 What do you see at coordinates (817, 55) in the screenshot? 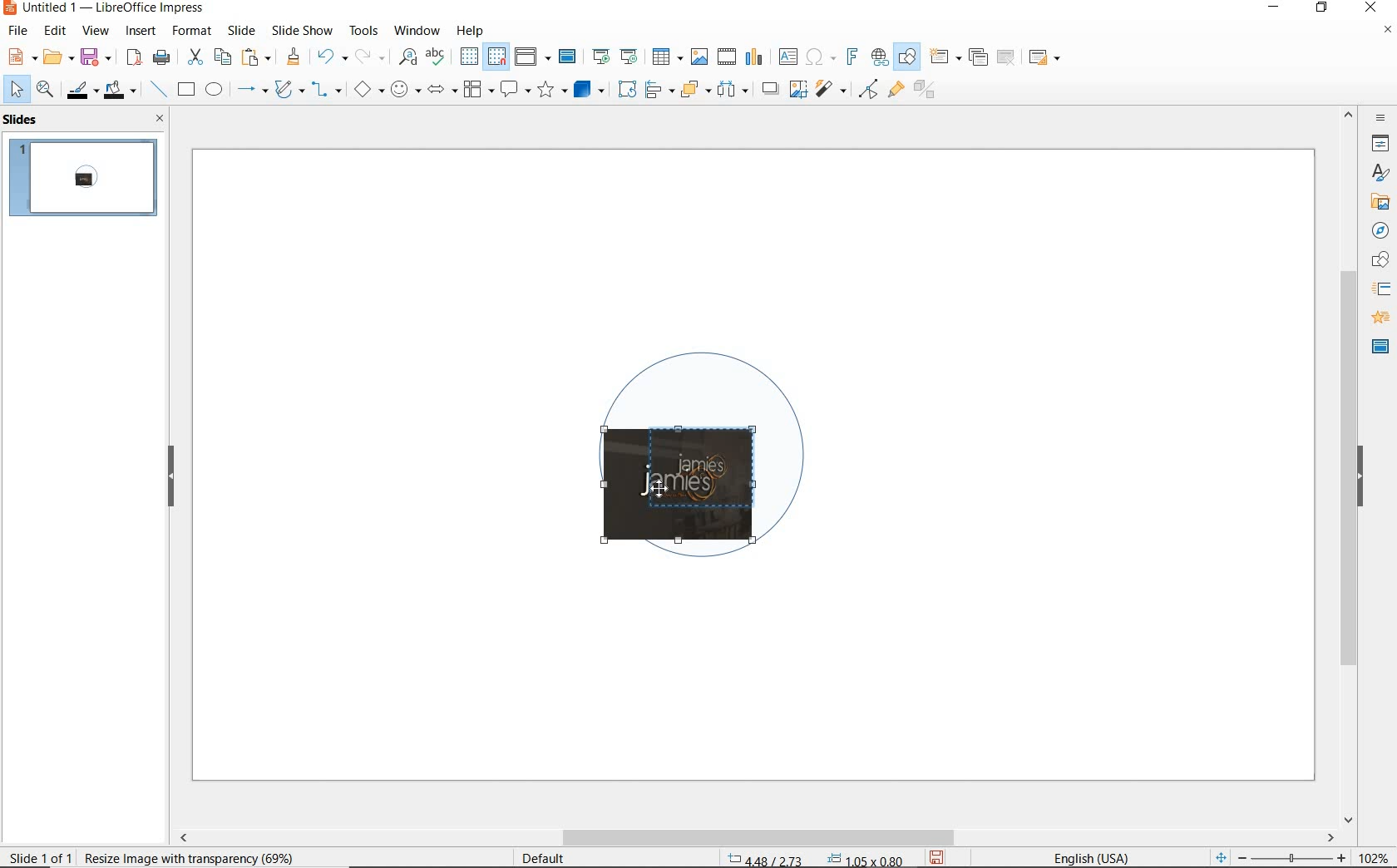
I see `insert special characters` at bounding box center [817, 55].